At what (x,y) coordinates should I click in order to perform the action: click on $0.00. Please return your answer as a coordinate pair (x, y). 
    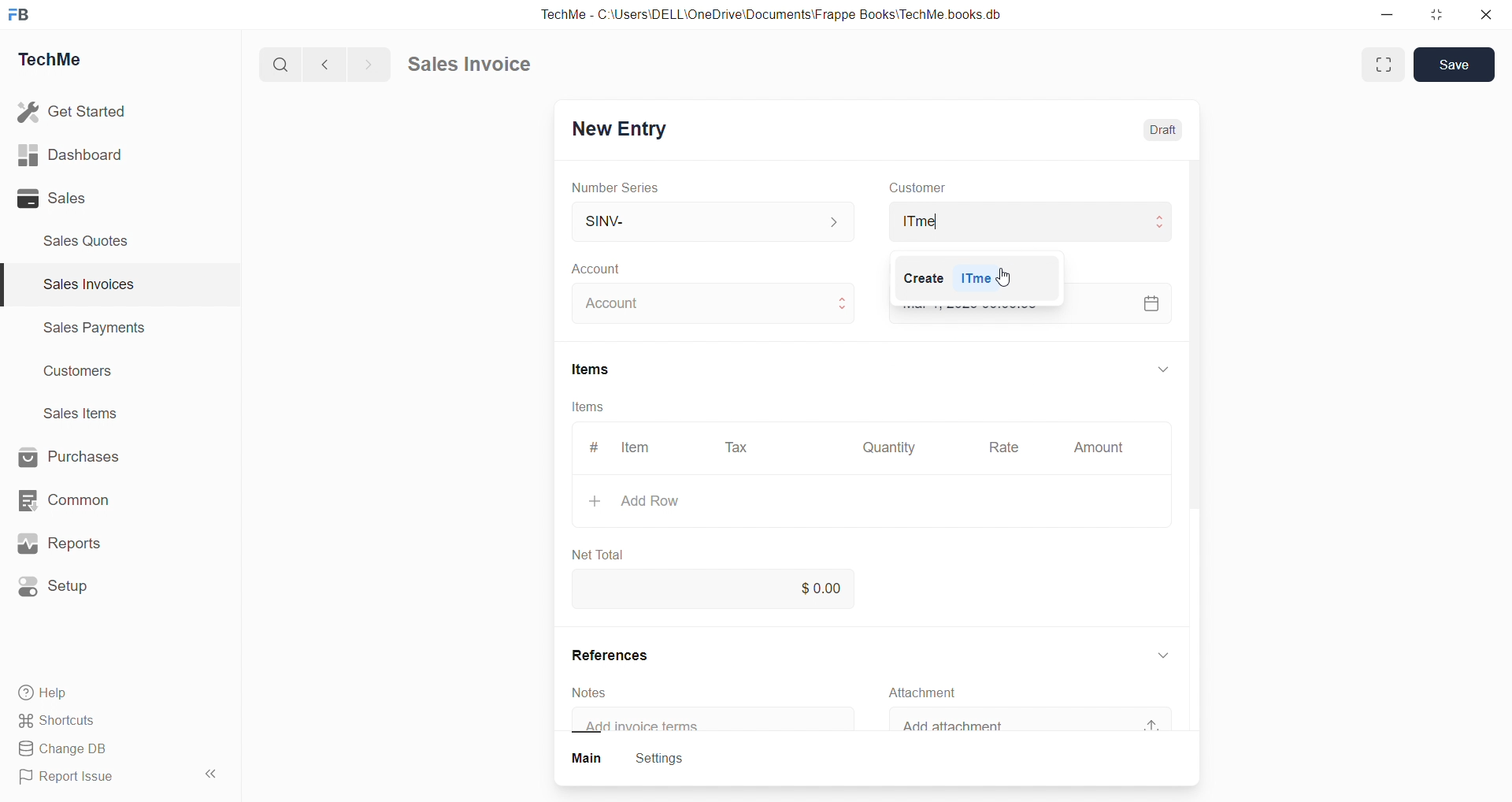
    Looking at the image, I should click on (826, 586).